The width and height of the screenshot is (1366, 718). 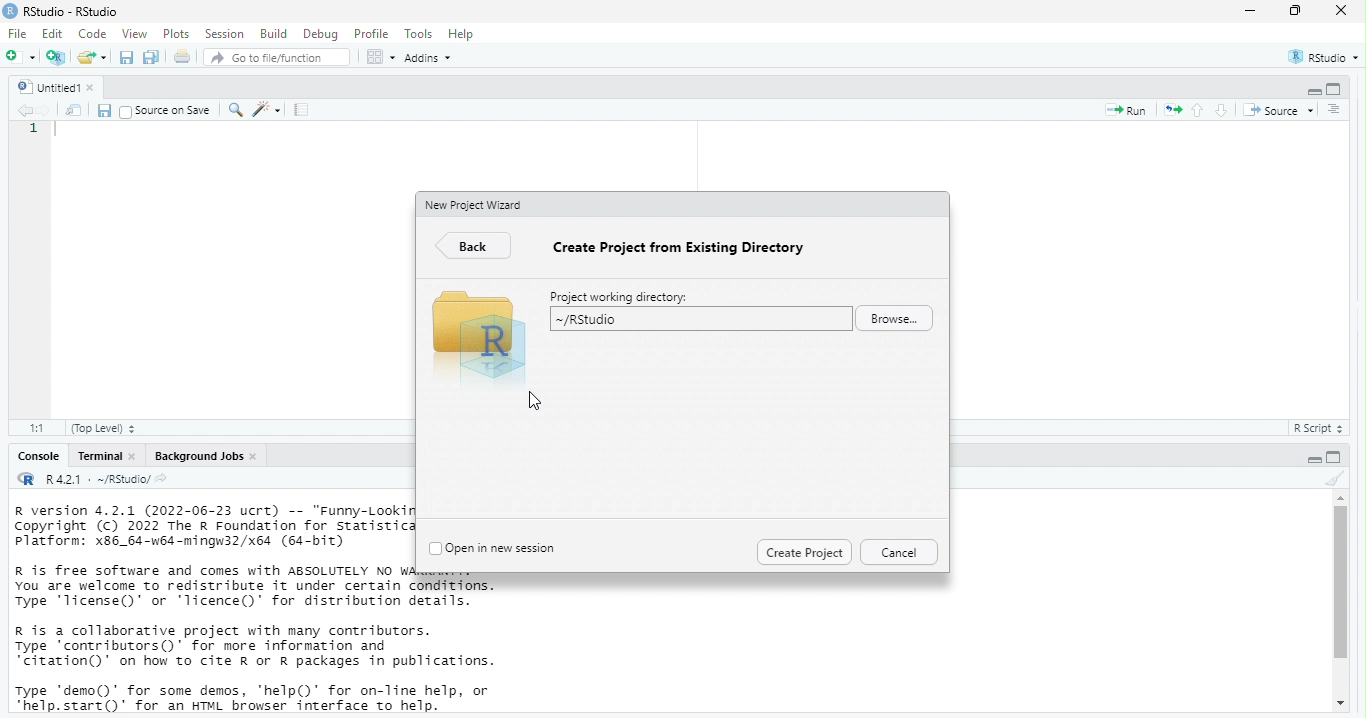 What do you see at coordinates (419, 34) in the screenshot?
I see `tools` at bounding box center [419, 34].